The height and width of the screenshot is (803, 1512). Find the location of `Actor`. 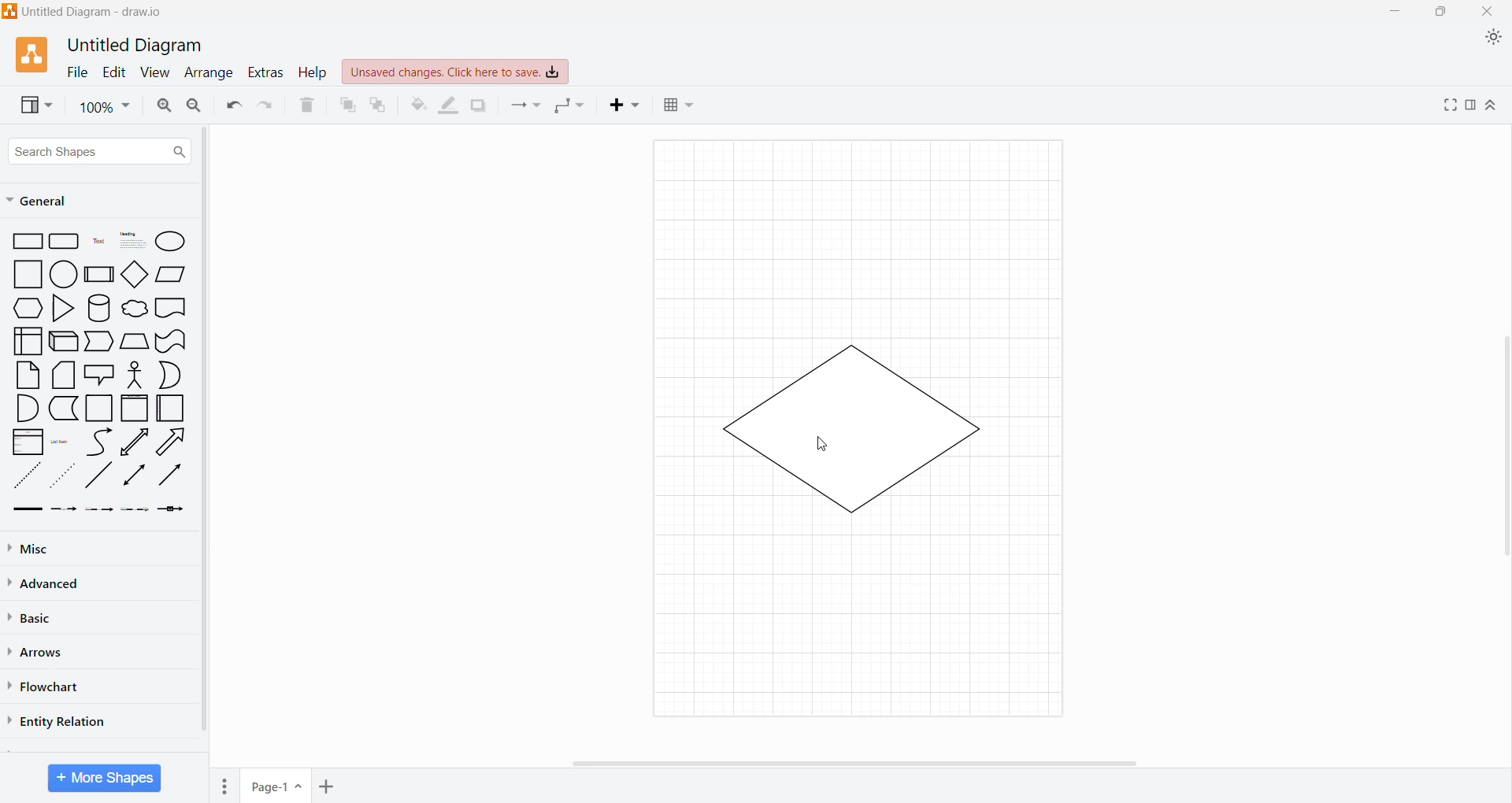

Actor is located at coordinates (133, 376).